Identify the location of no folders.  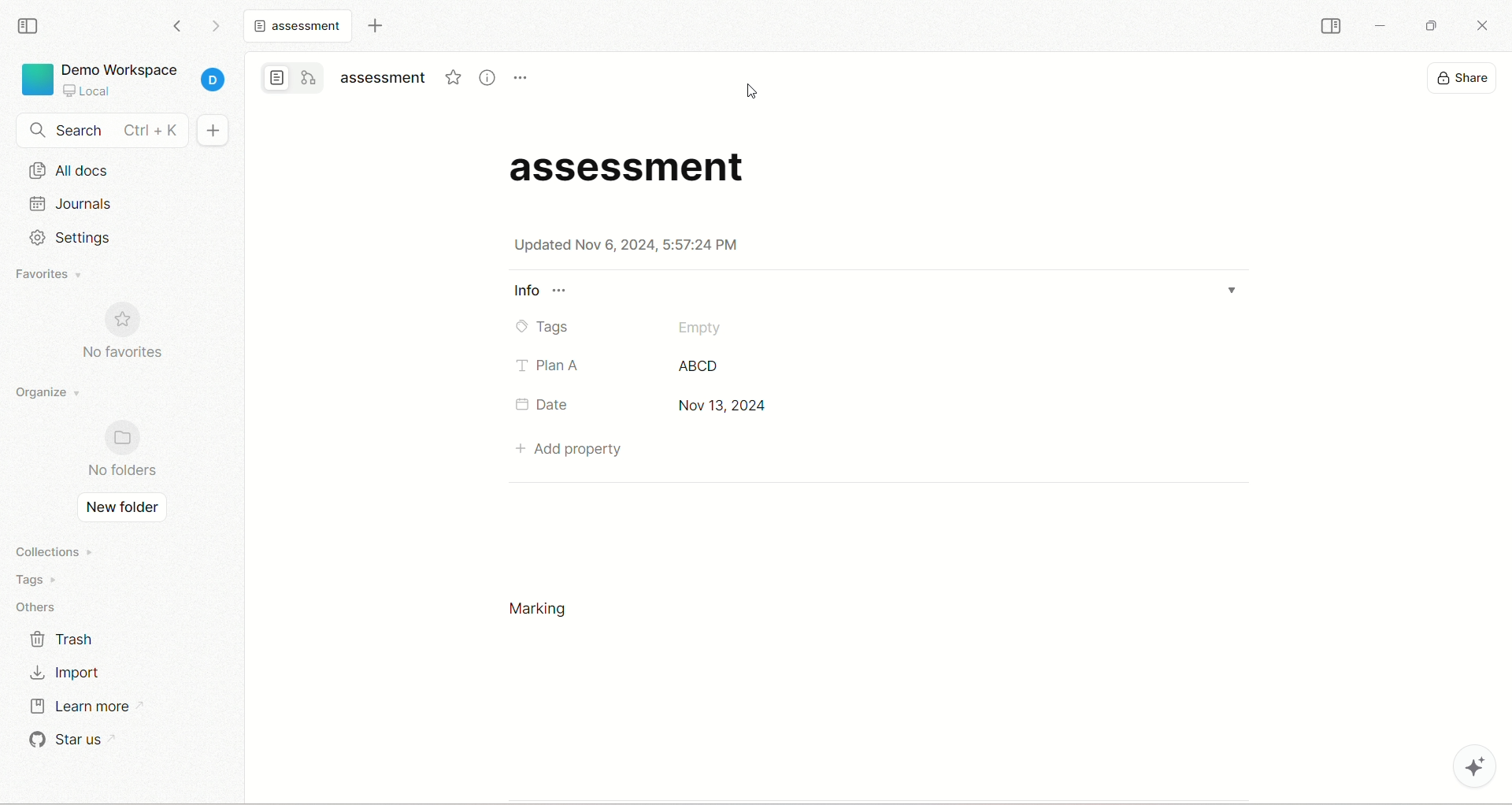
(124, 470).